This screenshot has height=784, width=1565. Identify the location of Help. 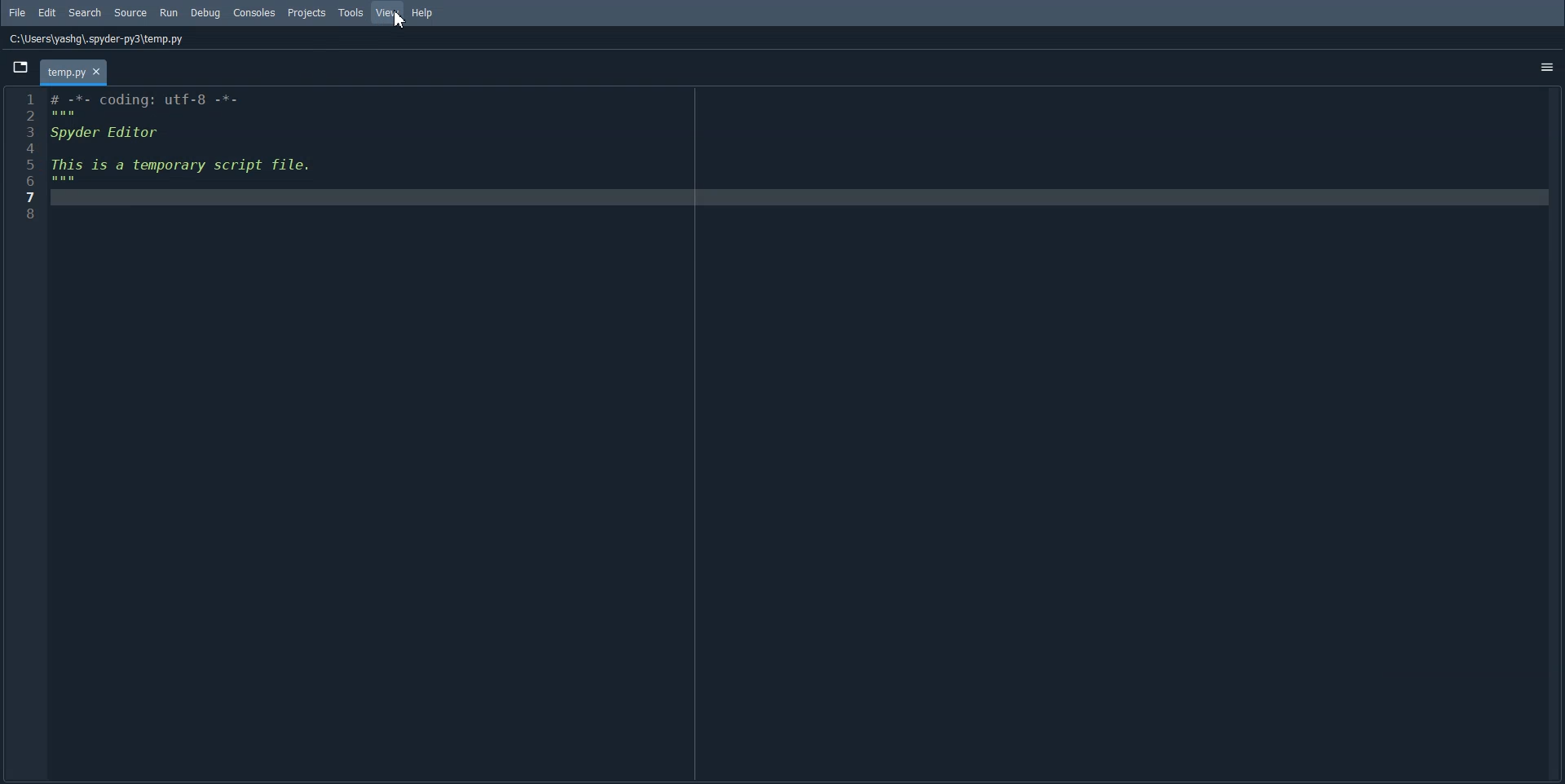
(423, 12).